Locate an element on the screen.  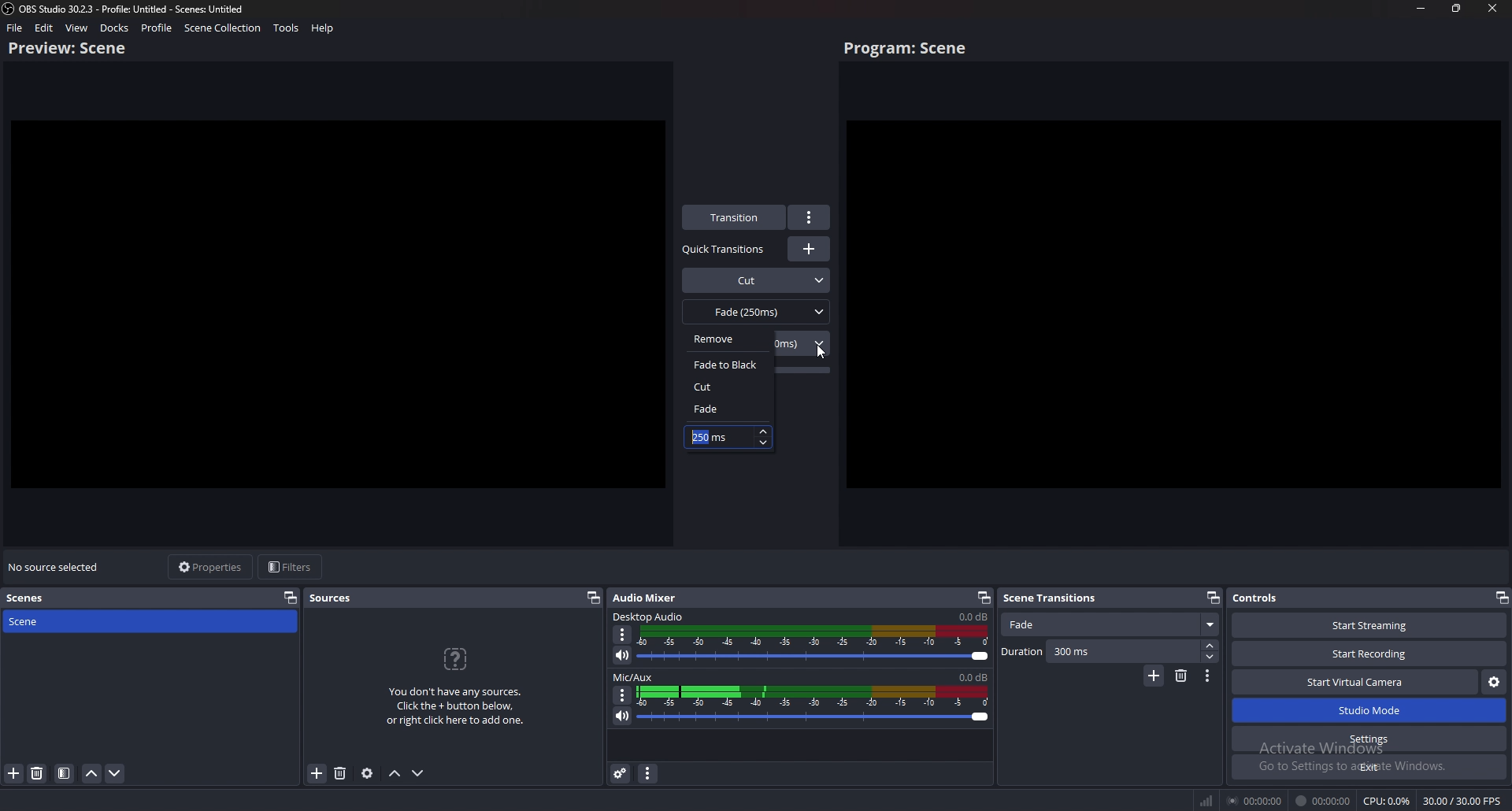
You don't have any sources.
Click the + button below,
or right click here to add one. is located at coordinates (460, 709).